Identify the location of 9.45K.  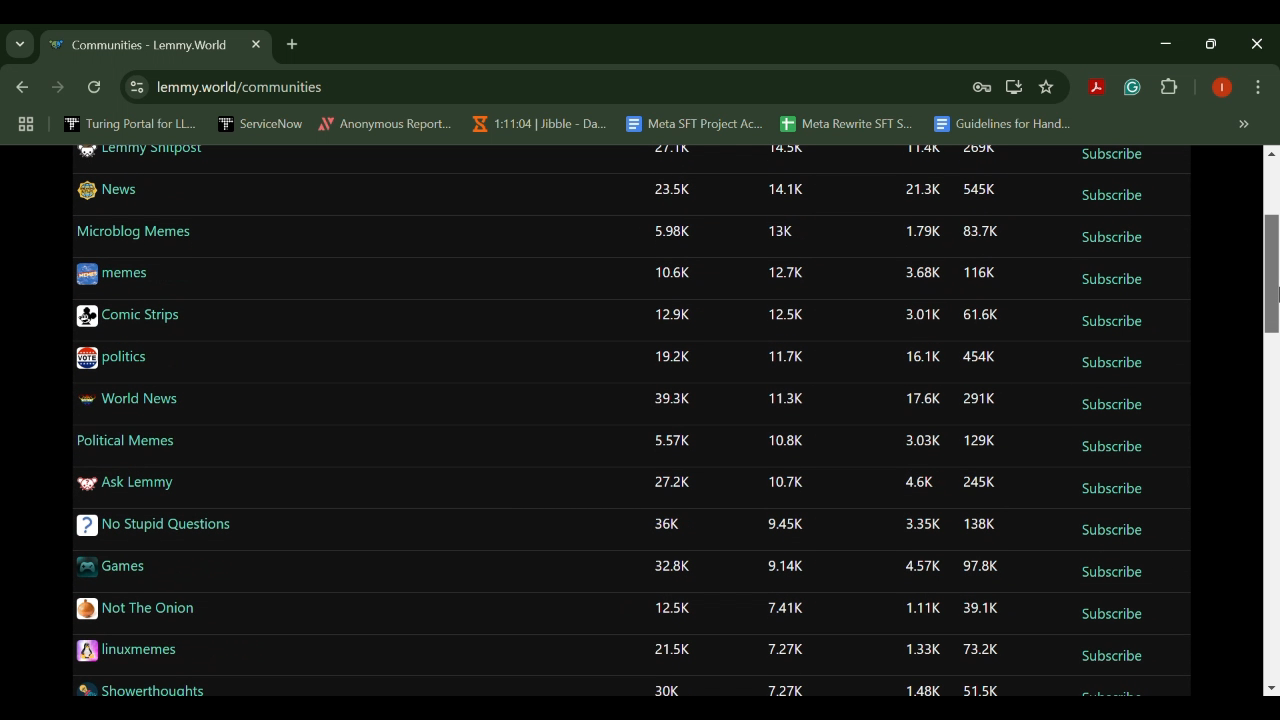
(782, 521).